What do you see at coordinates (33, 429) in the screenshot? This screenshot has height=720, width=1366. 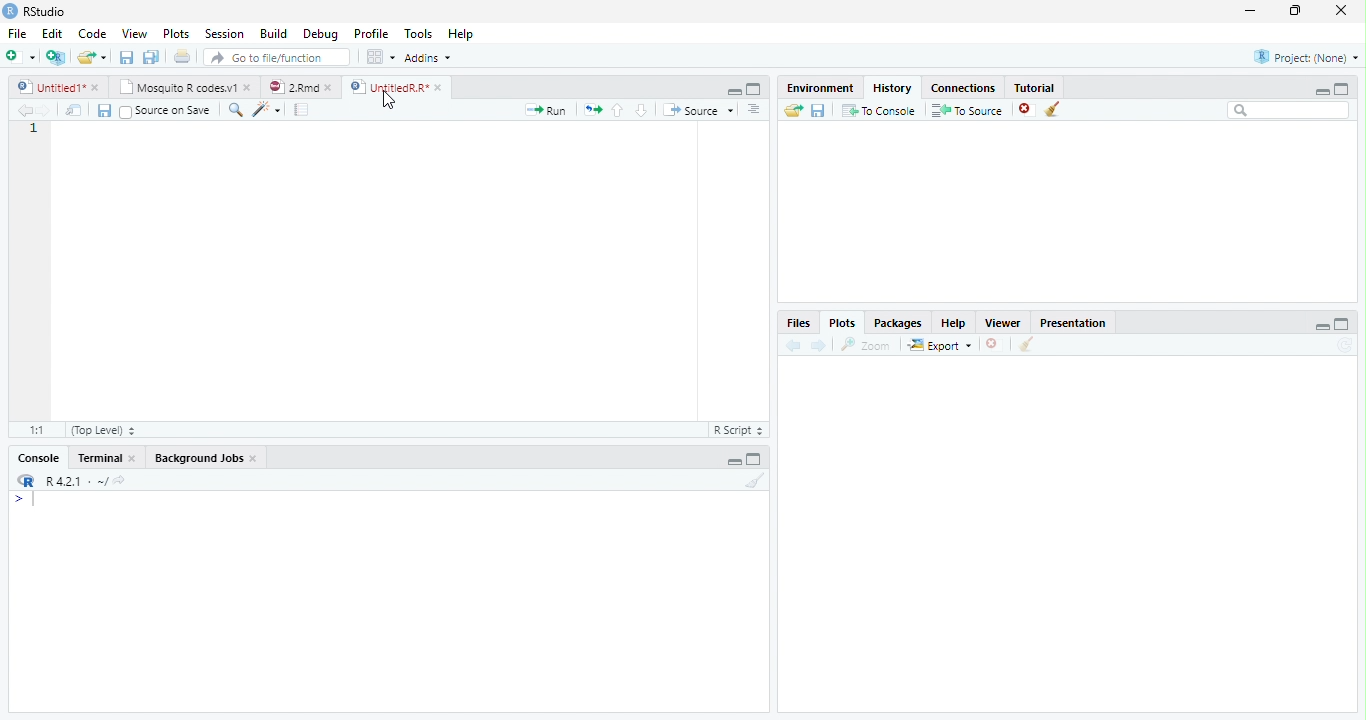 I see `1:1` at bounding box center [33, 429].